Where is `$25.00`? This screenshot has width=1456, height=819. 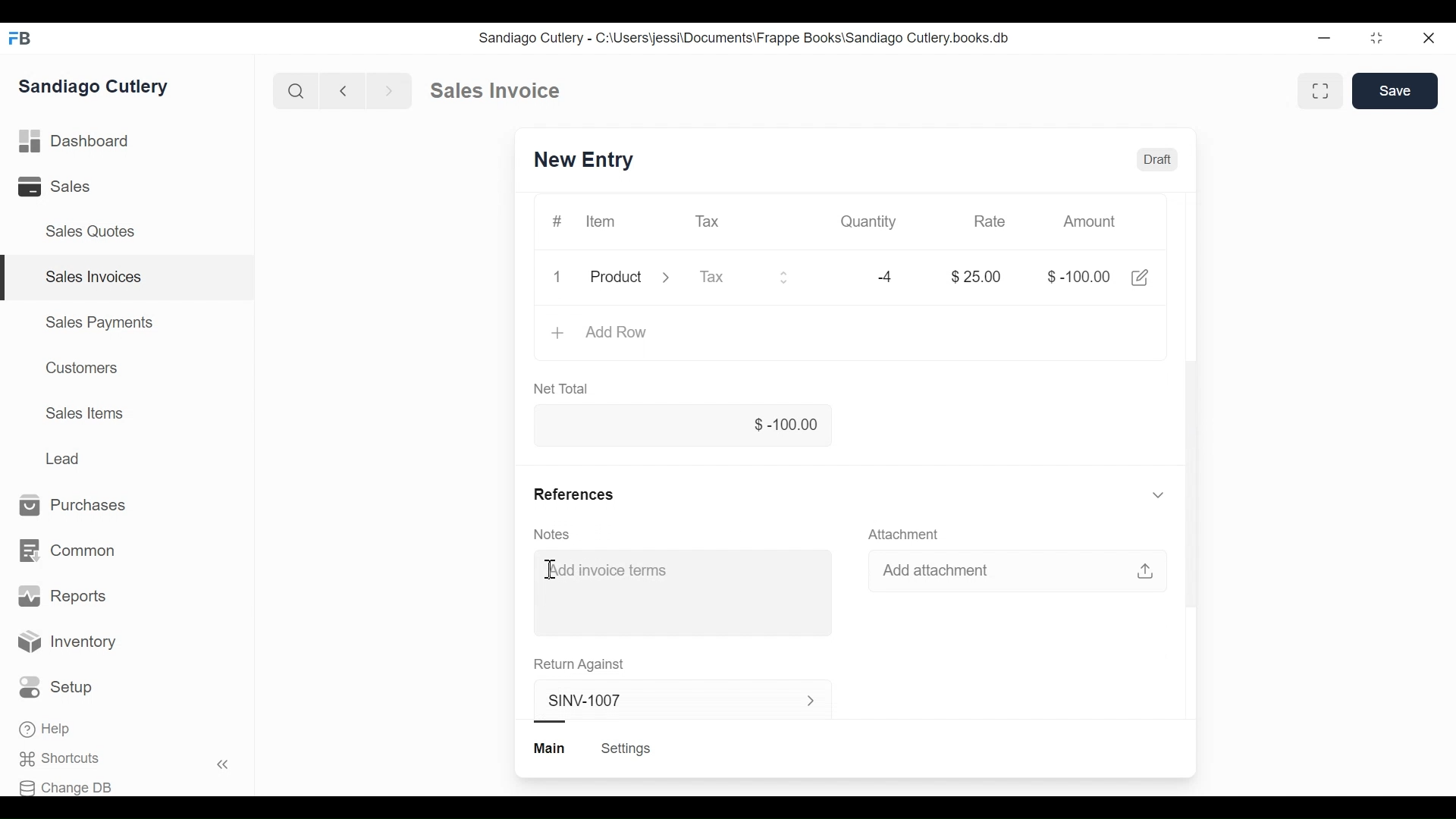 $25.00 is located at coordinates (977, 276).